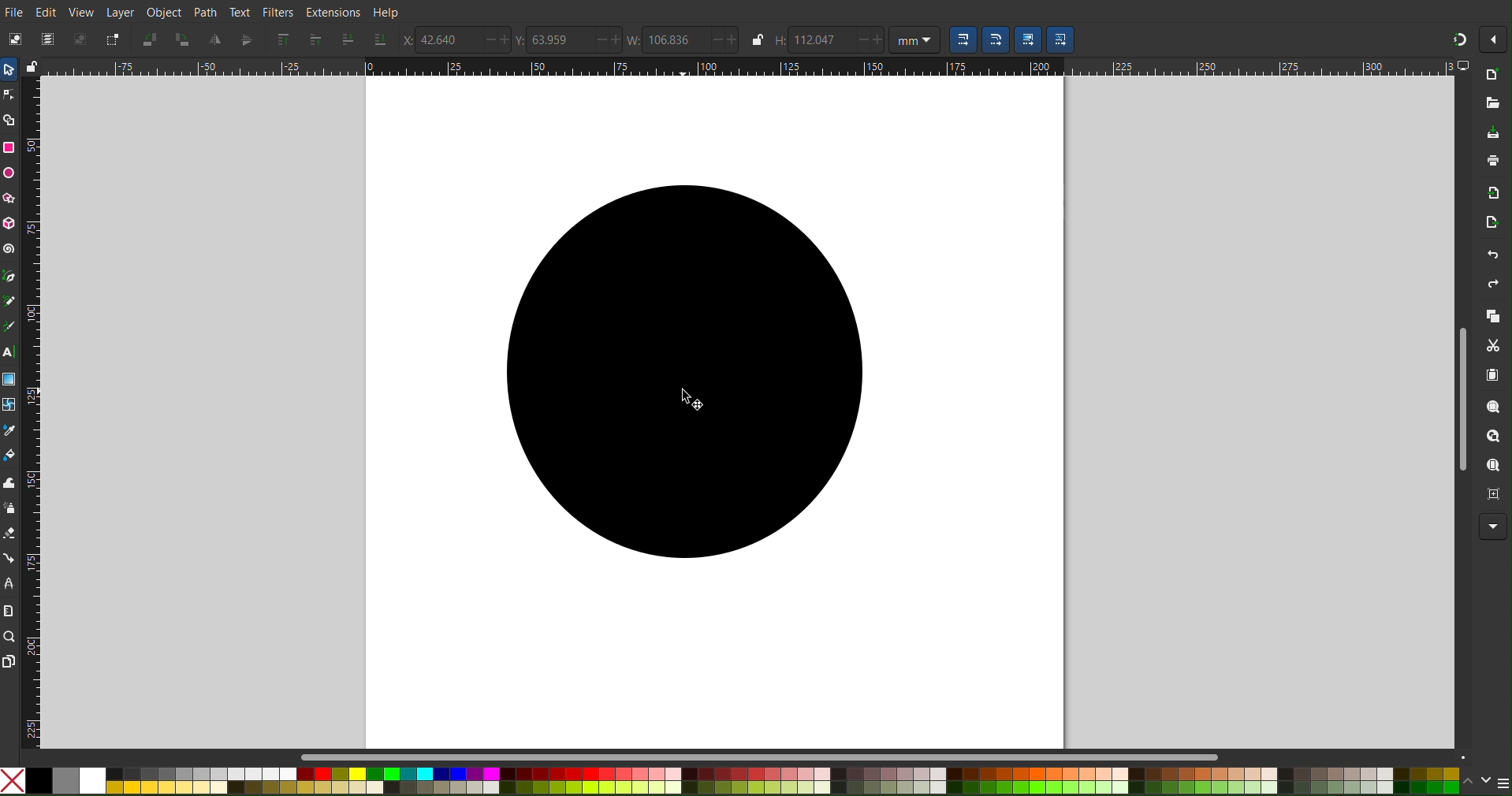 The image size is (1512, 796). Describe the element at coordinates (163, 11) in the screenshot. I see `Object` at that location.